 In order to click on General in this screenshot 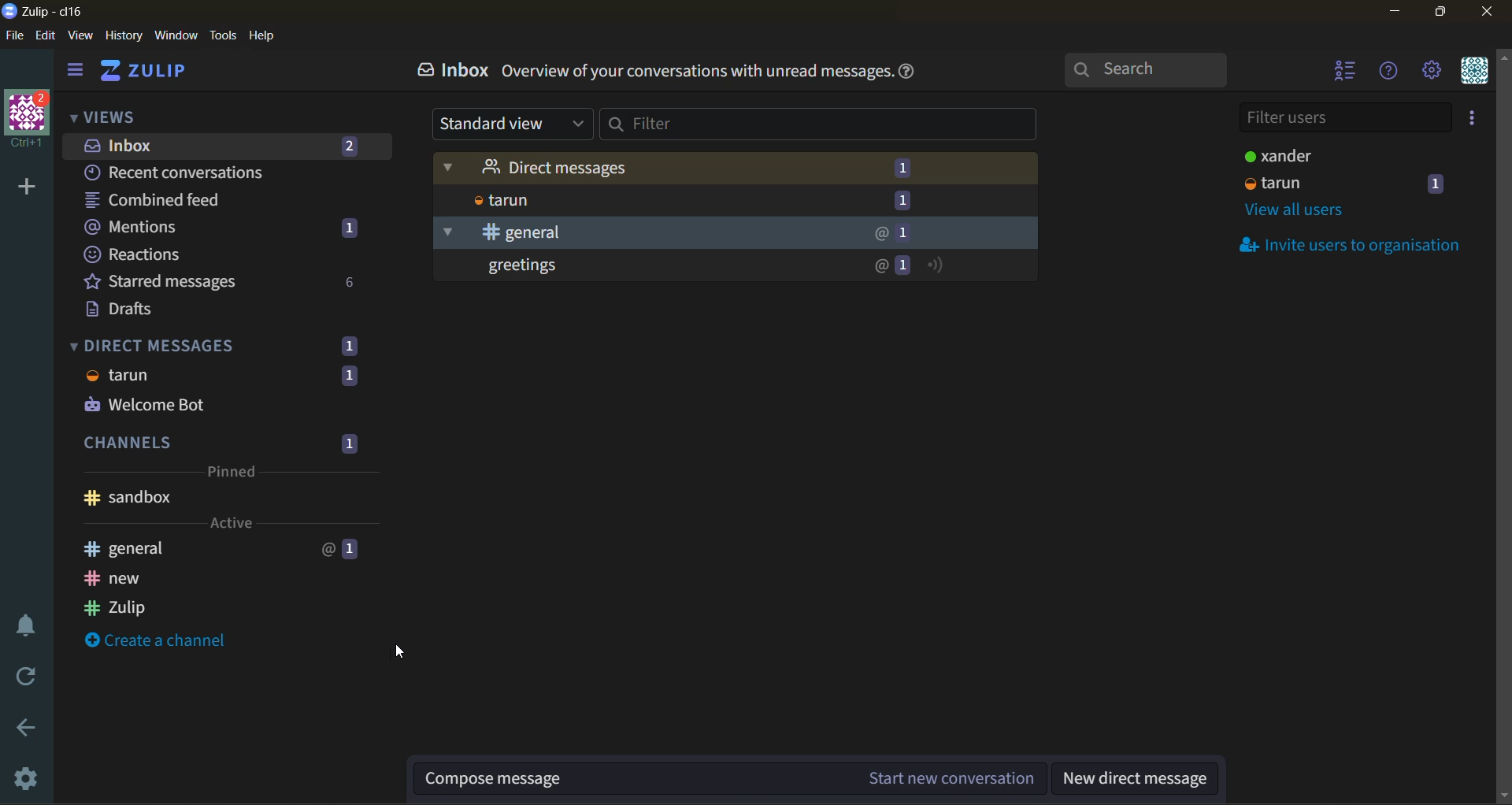, I will do `click(732, 233)`.